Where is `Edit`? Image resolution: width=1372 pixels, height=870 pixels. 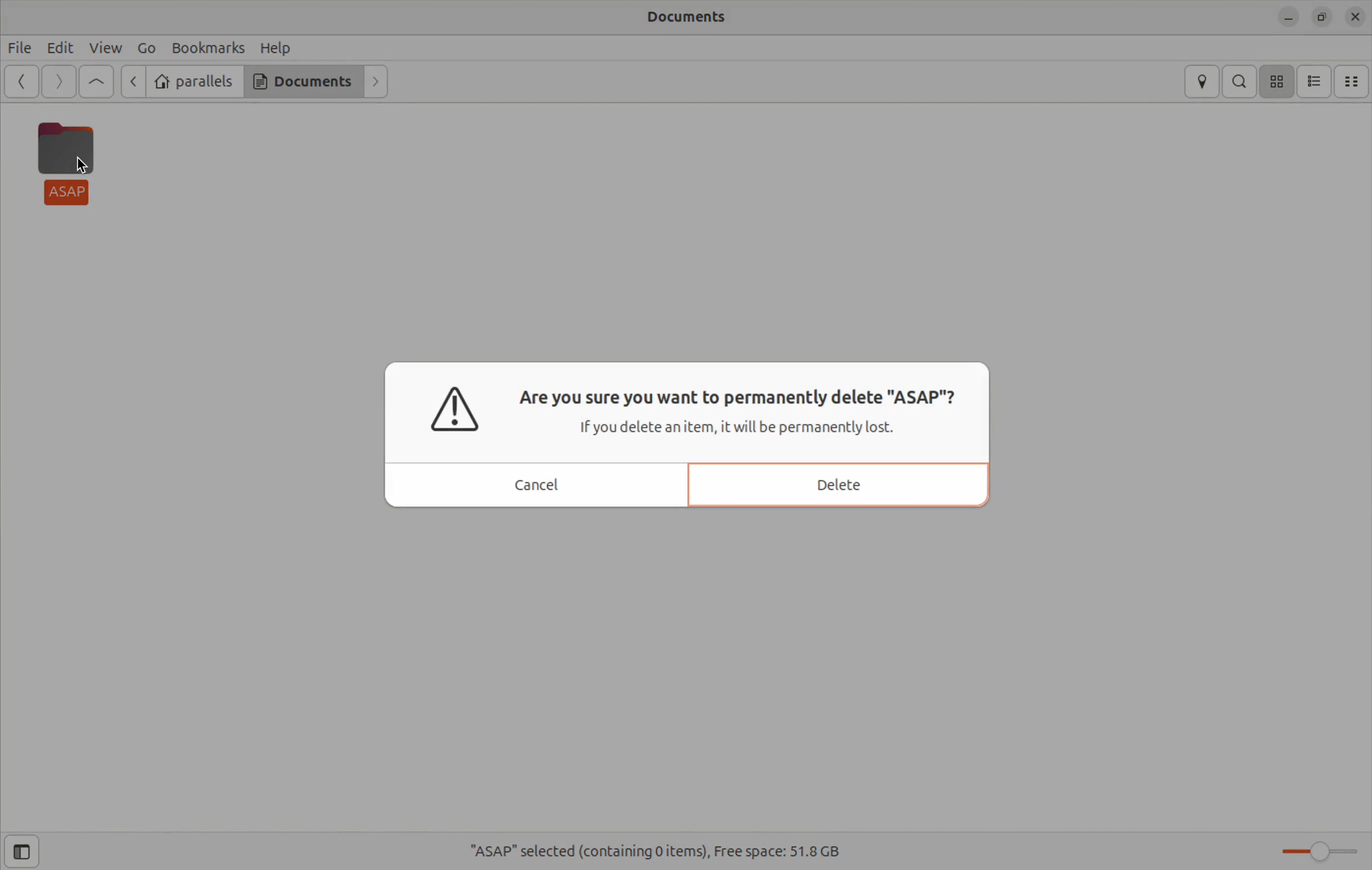
Edit is located at coordinates (62, 49).